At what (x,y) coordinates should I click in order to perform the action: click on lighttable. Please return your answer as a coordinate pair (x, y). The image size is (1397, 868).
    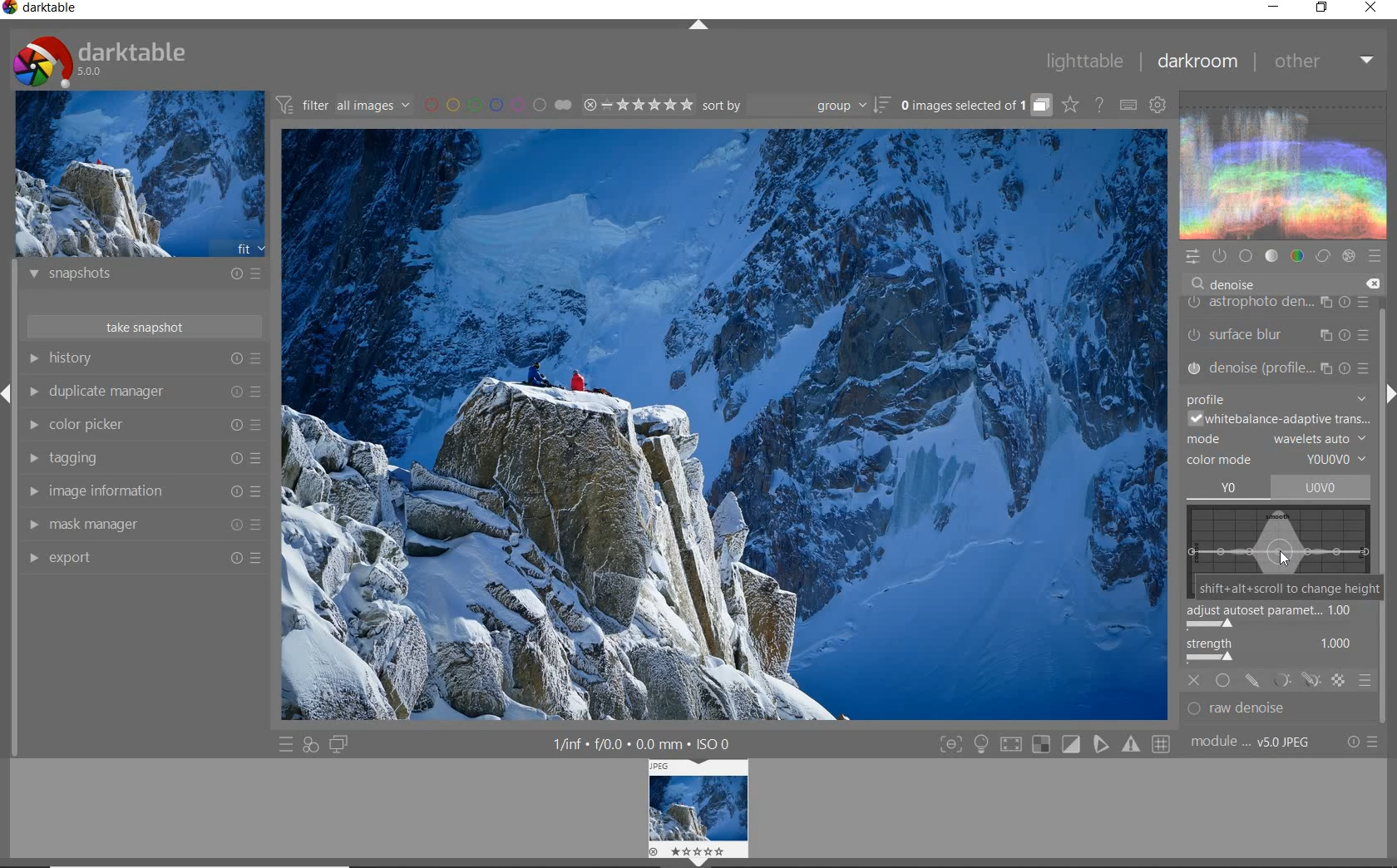
    Looking at the image, I should click on (1085, 60).